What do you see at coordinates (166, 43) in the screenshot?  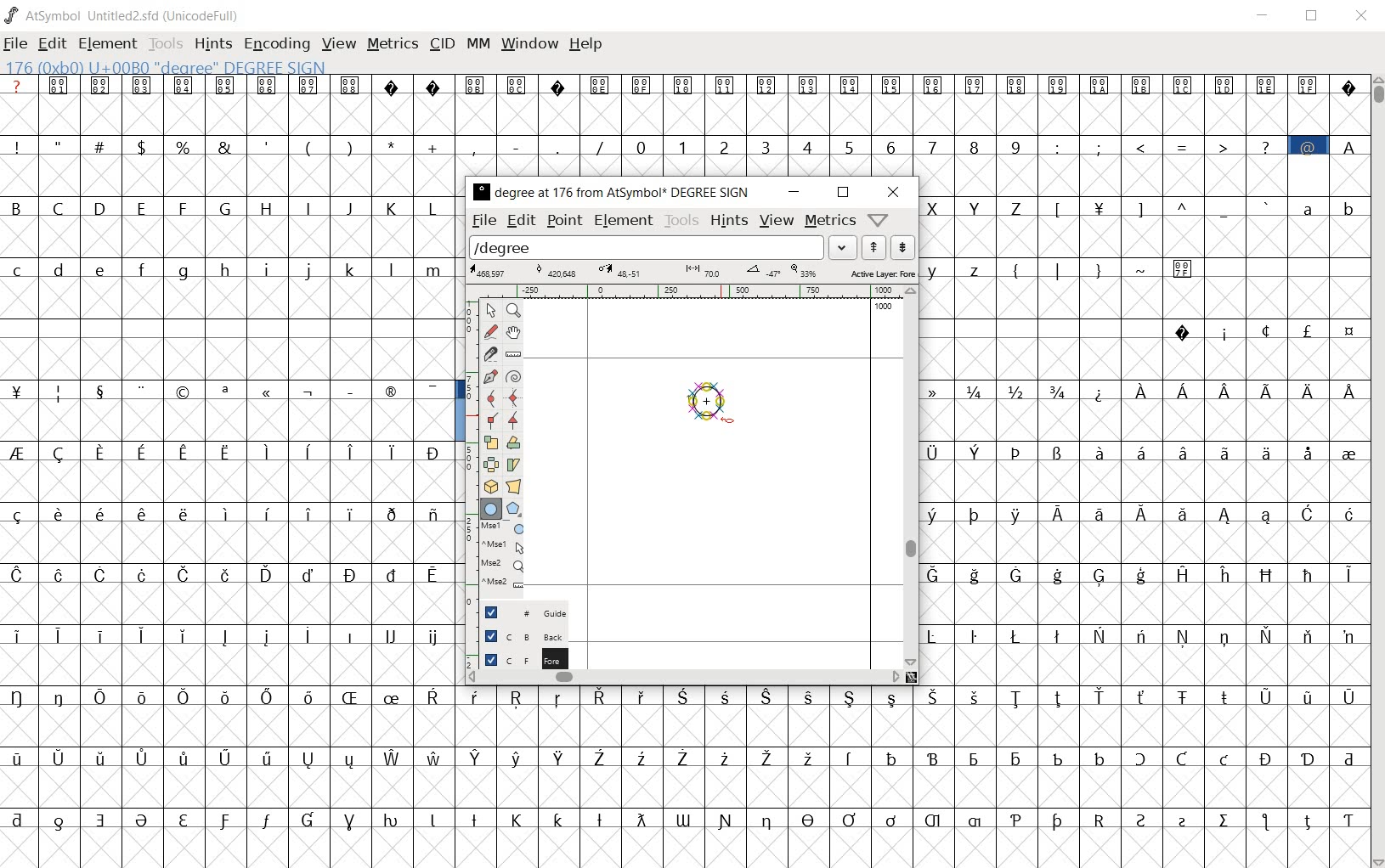 I see `tools` at bounding box center [166, 43].